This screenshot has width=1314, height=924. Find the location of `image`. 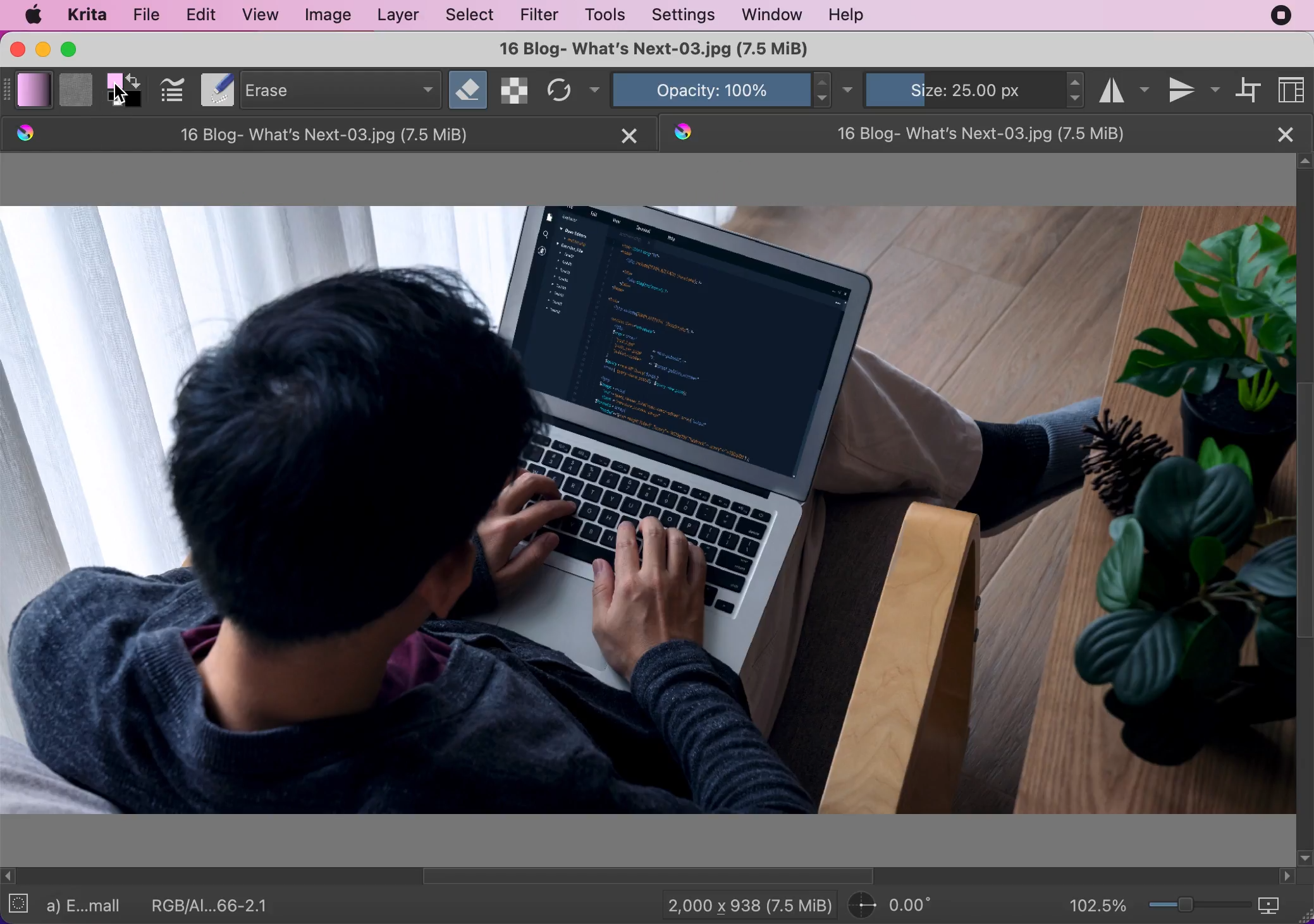

image is located at coordinates (332, 16).